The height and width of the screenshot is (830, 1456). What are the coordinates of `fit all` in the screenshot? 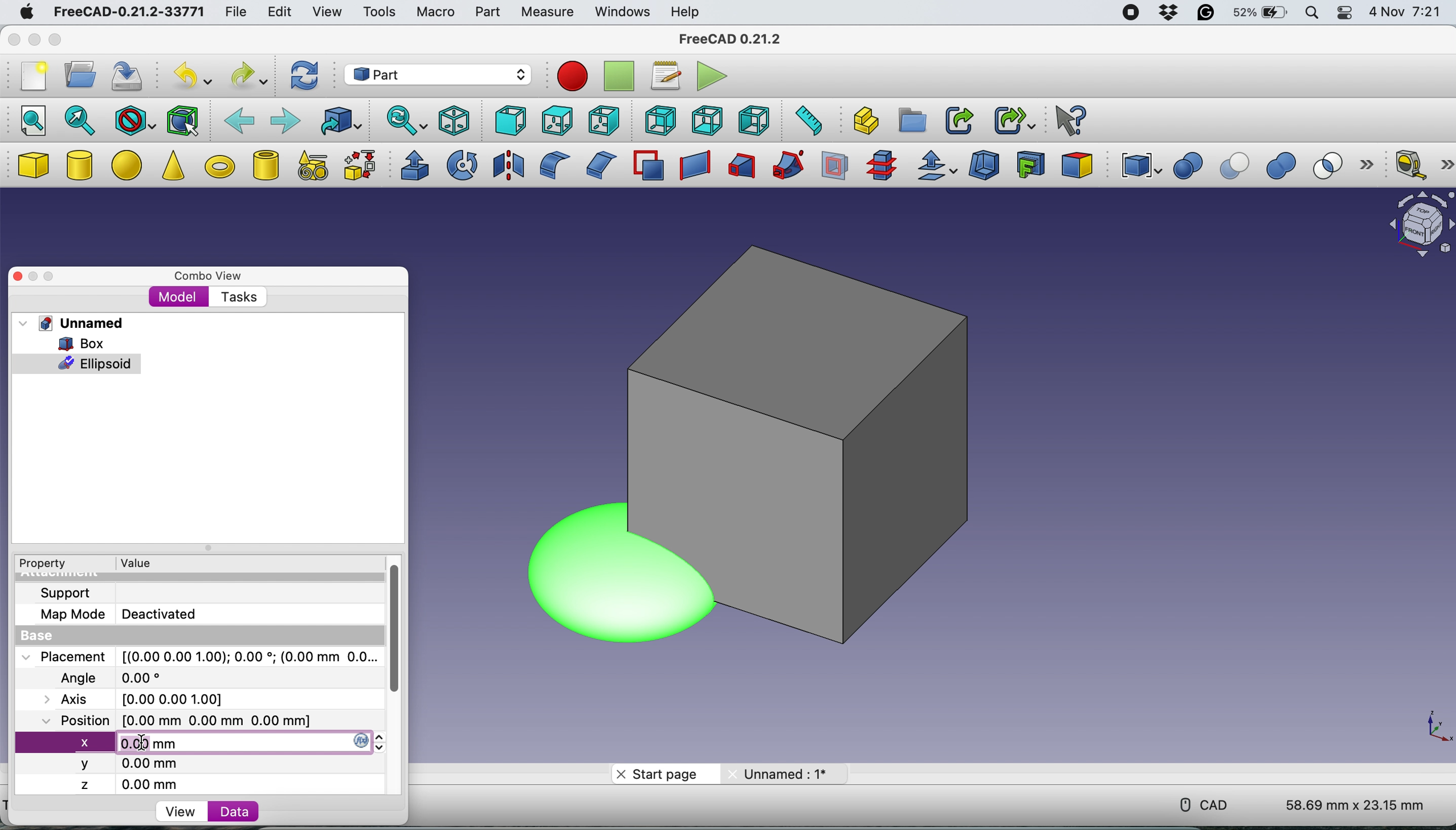 It's located at (28, 119).